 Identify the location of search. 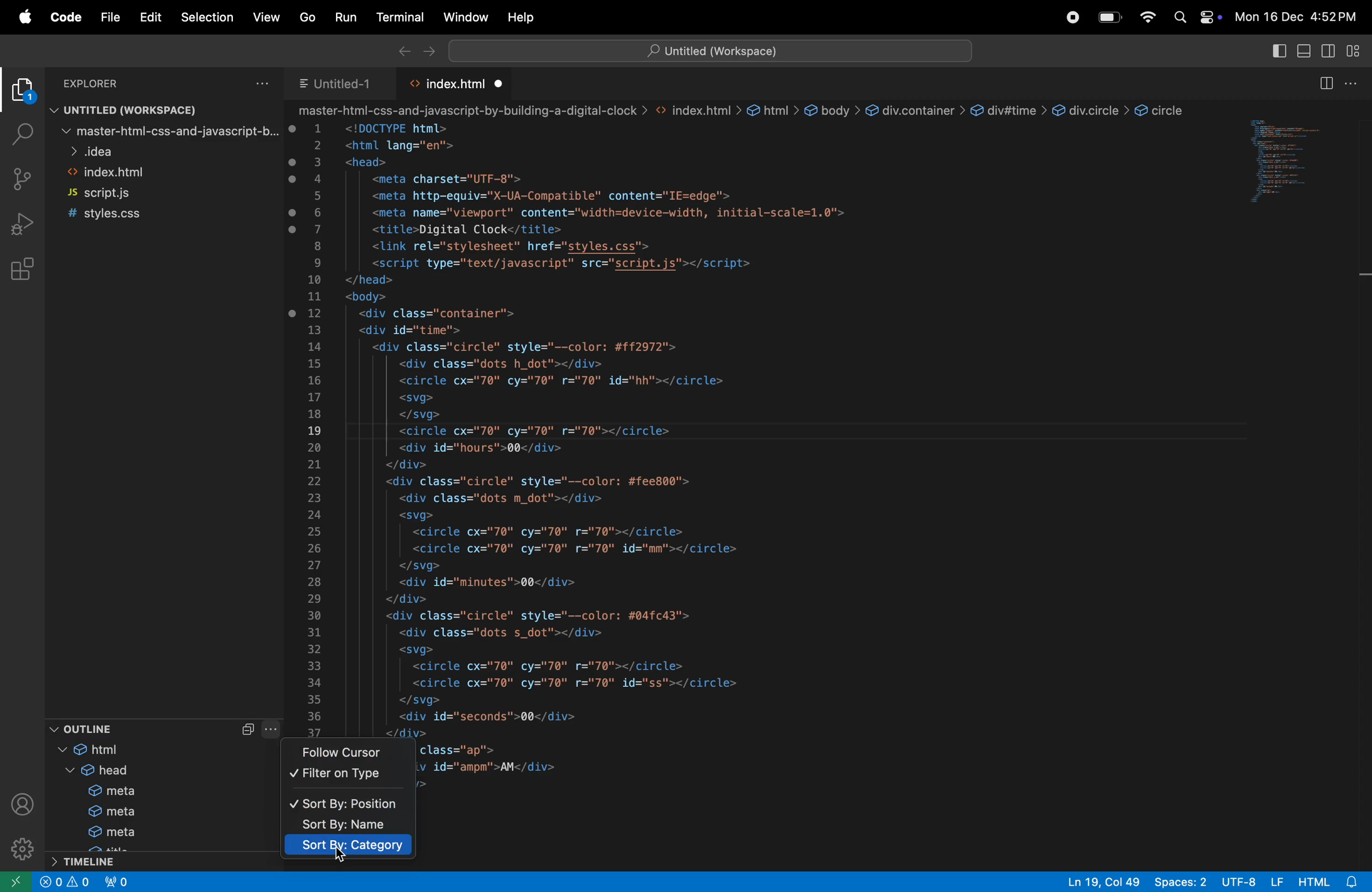
(19, 131).